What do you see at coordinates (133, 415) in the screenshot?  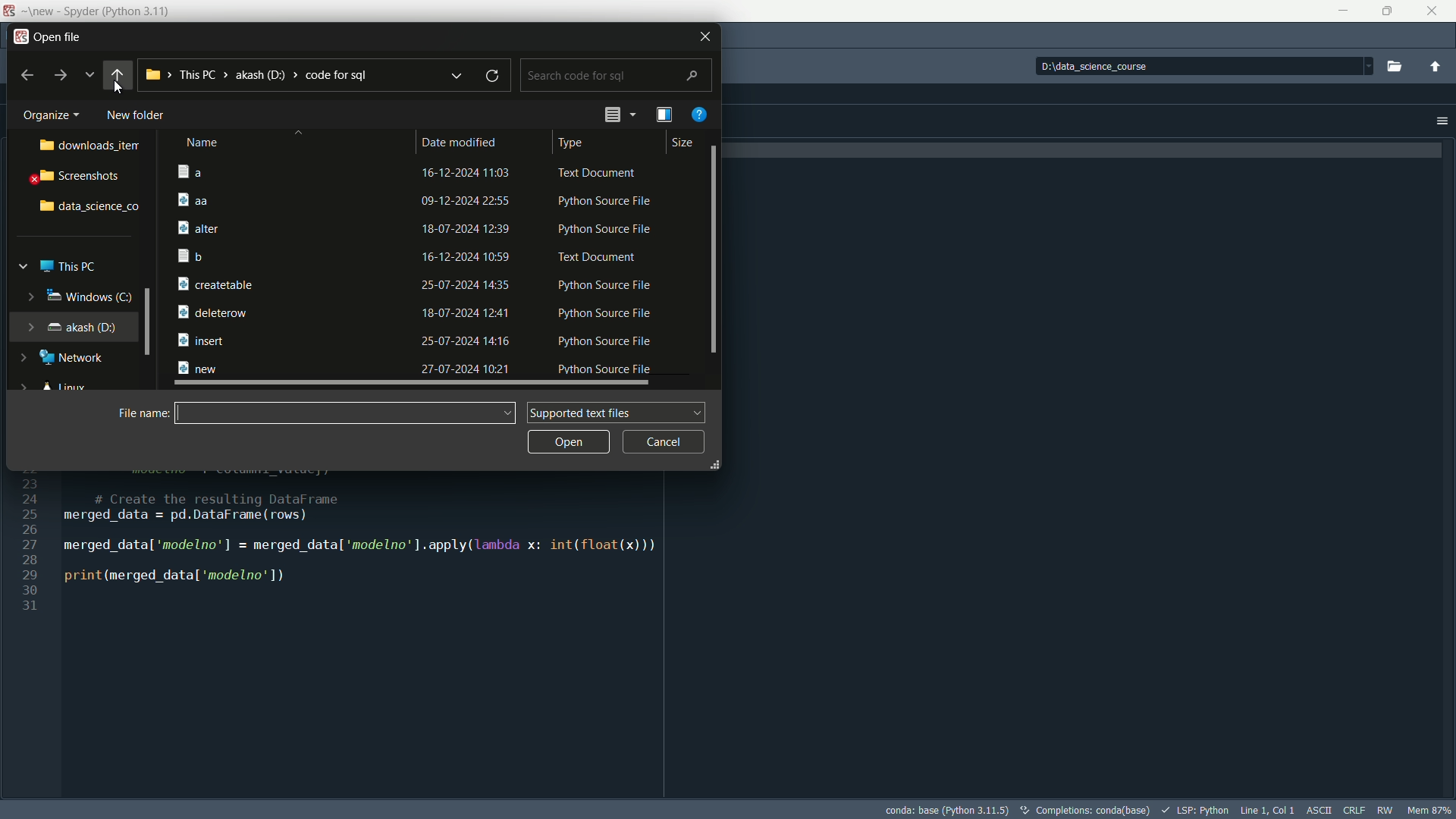 I see `file name` at bounding box center [133, 415].